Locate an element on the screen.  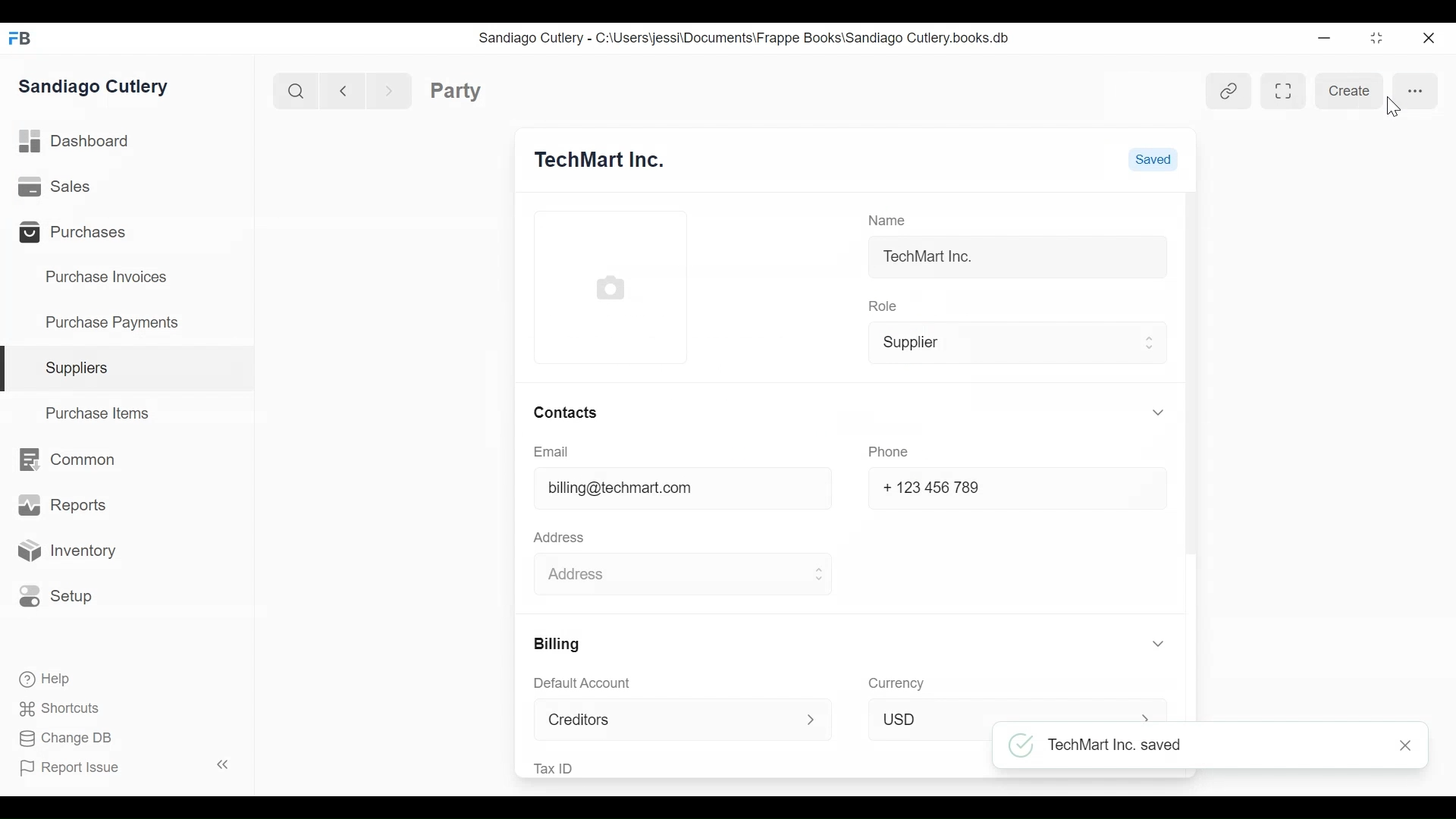
expand is located at coordinates (224, 762).